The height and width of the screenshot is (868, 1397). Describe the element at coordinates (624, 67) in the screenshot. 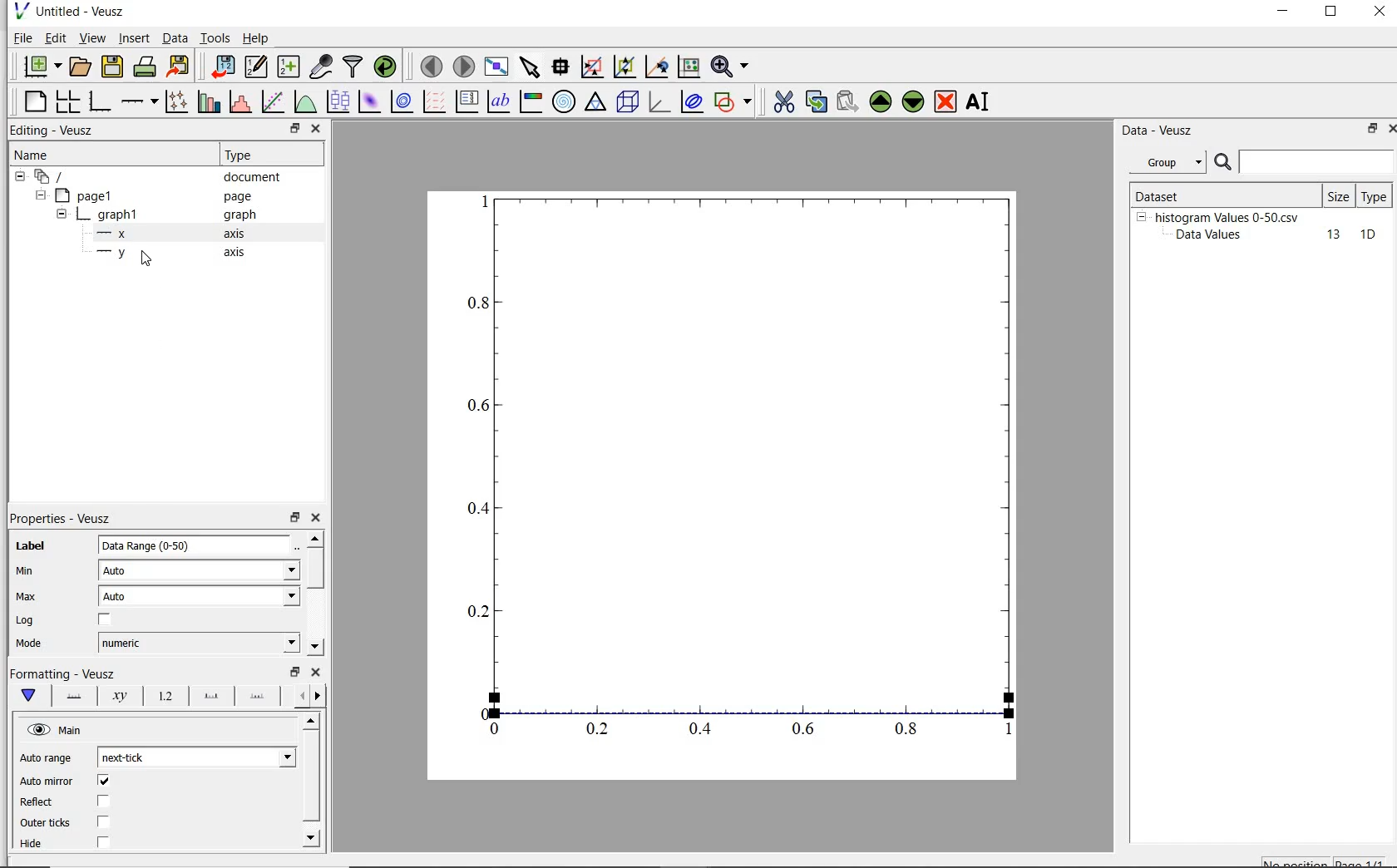

I see `click or draw a rectangle to zoom on graph axes` at that location.